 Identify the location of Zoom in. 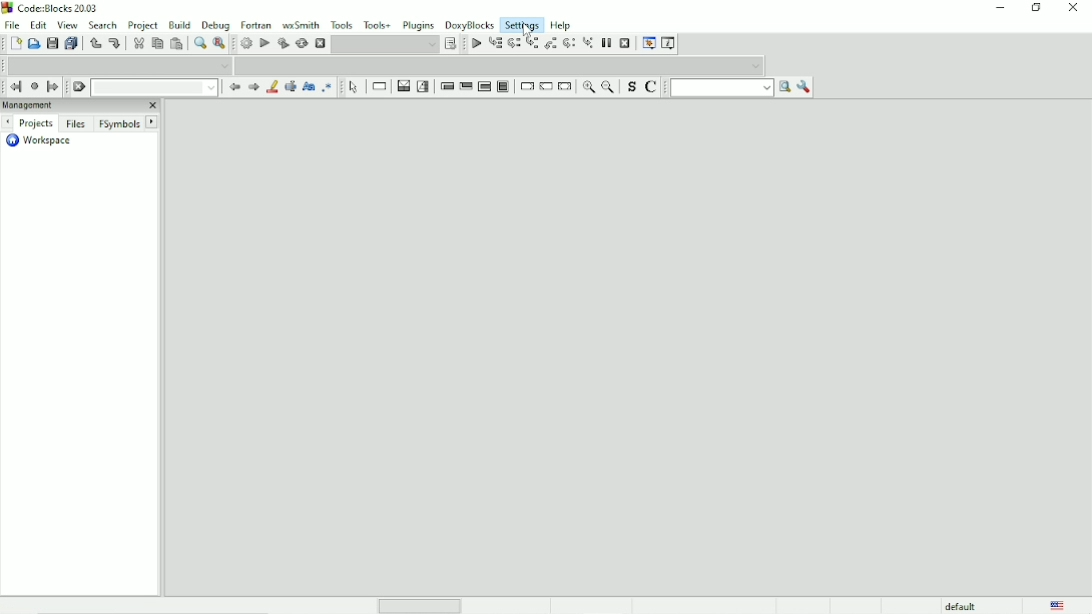
(587, 88).